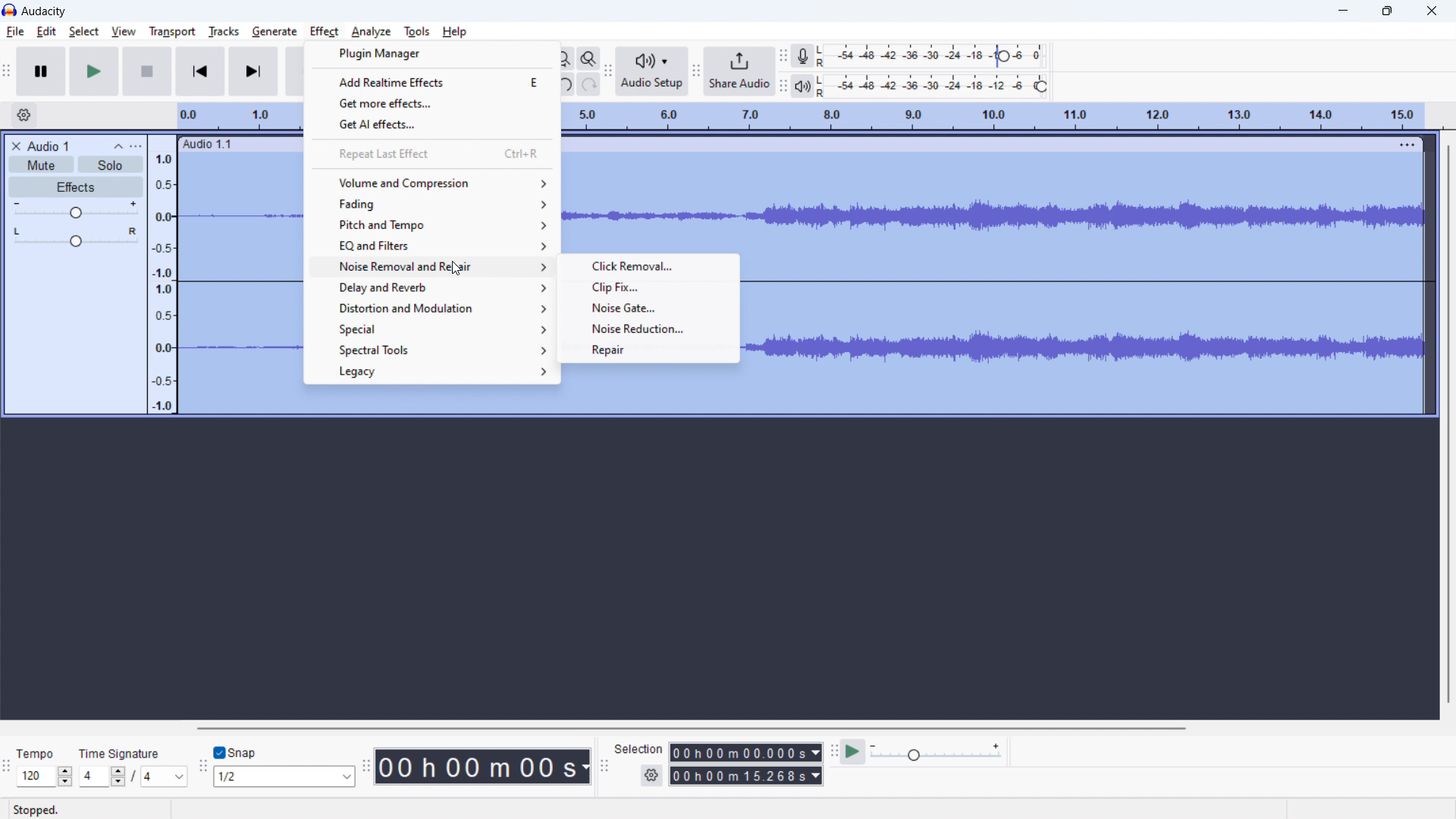 This screenshot has width=1456, height=819. What do you see at coordinates (283, 777) in the screenshot?
I see `select snapping` at bounding box center [283, 777].